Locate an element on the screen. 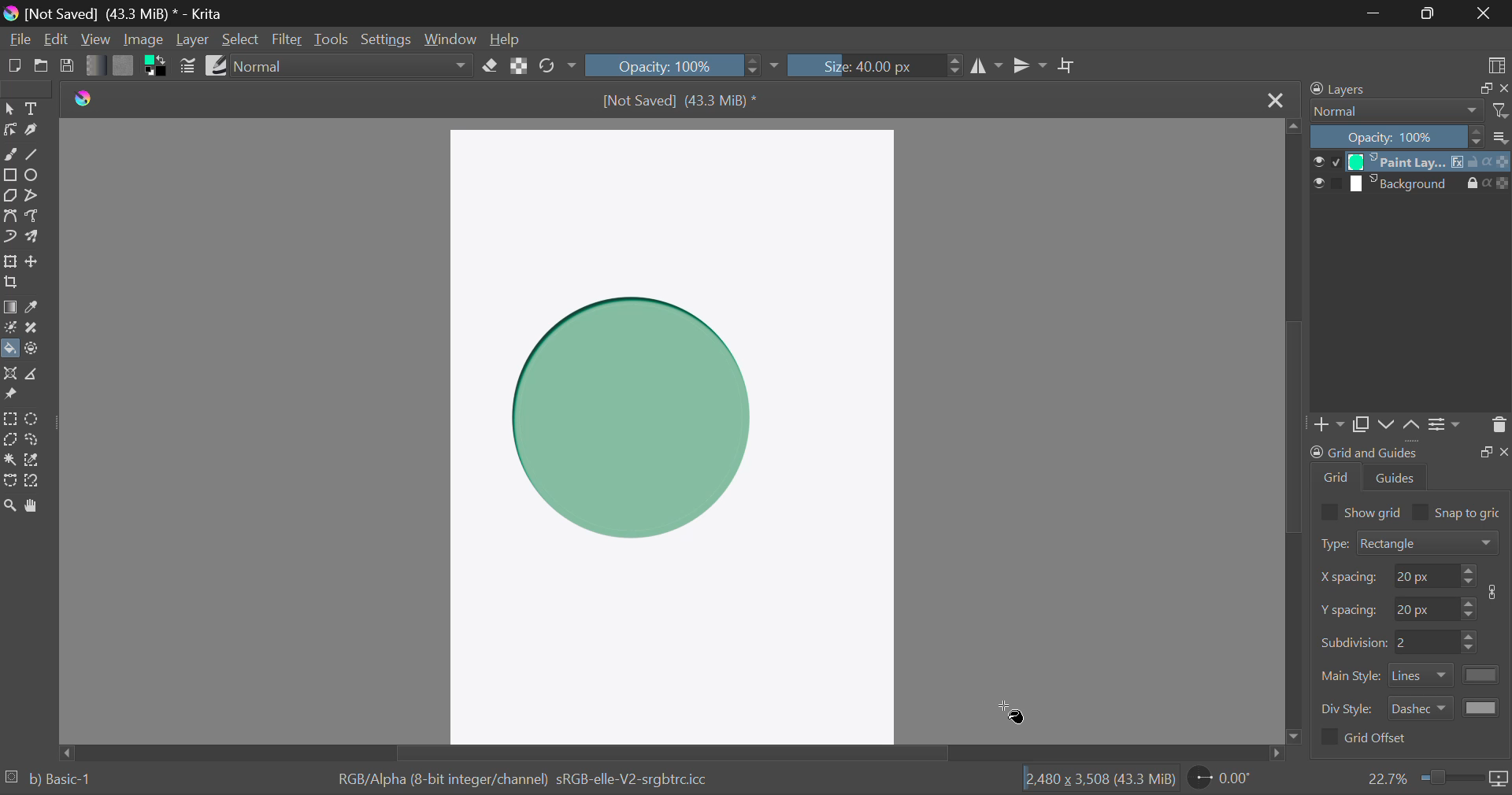 The image size is (1512, 795). Restore Down is located at coordinates (1375, 13).